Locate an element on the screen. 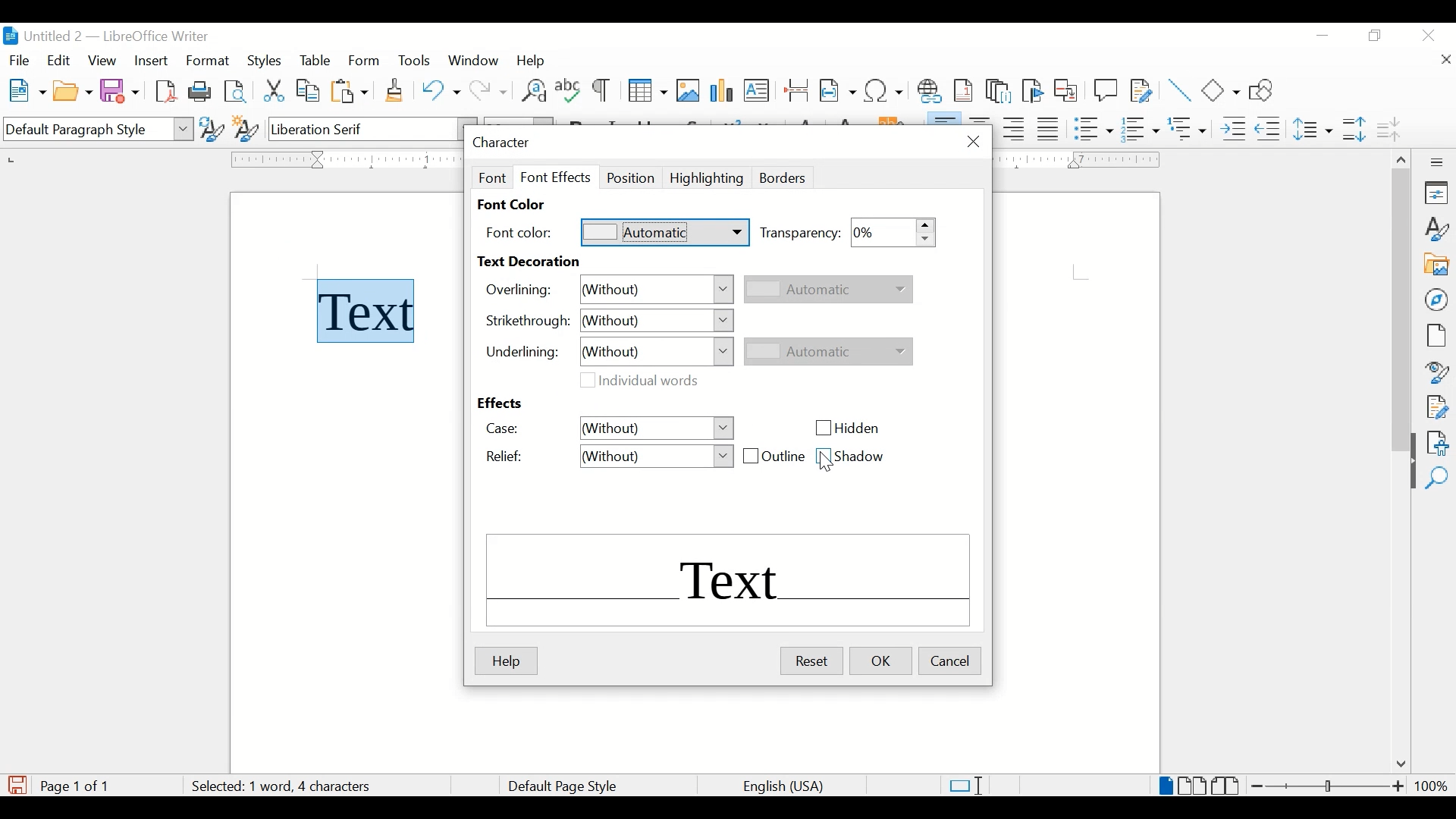 The width and height of the screenshot is (1456, 819). justify is located at coordinates (1049, 129).